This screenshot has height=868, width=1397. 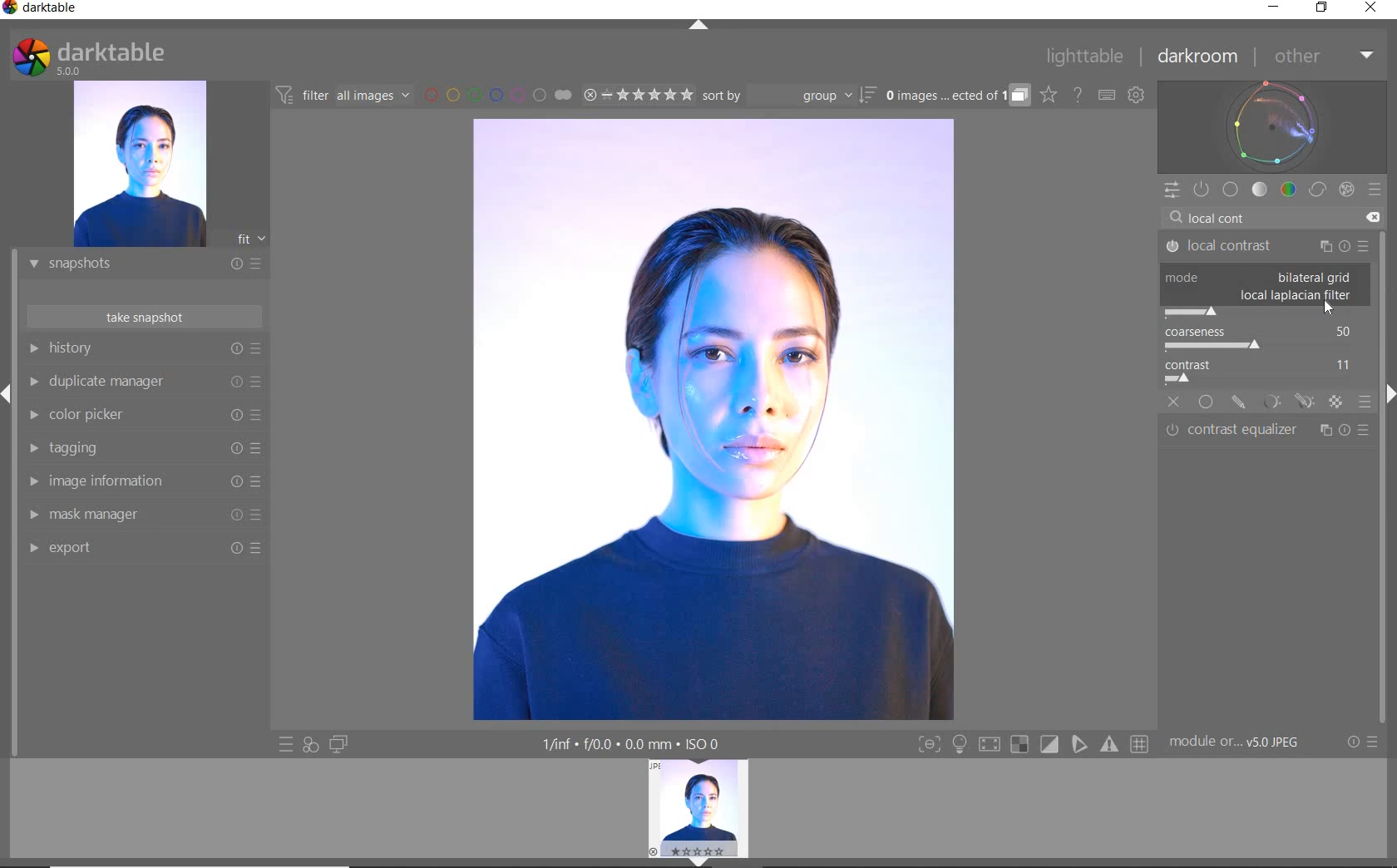 I want to click on TAKE SNAPSHOT, so click(x=143, y=316).